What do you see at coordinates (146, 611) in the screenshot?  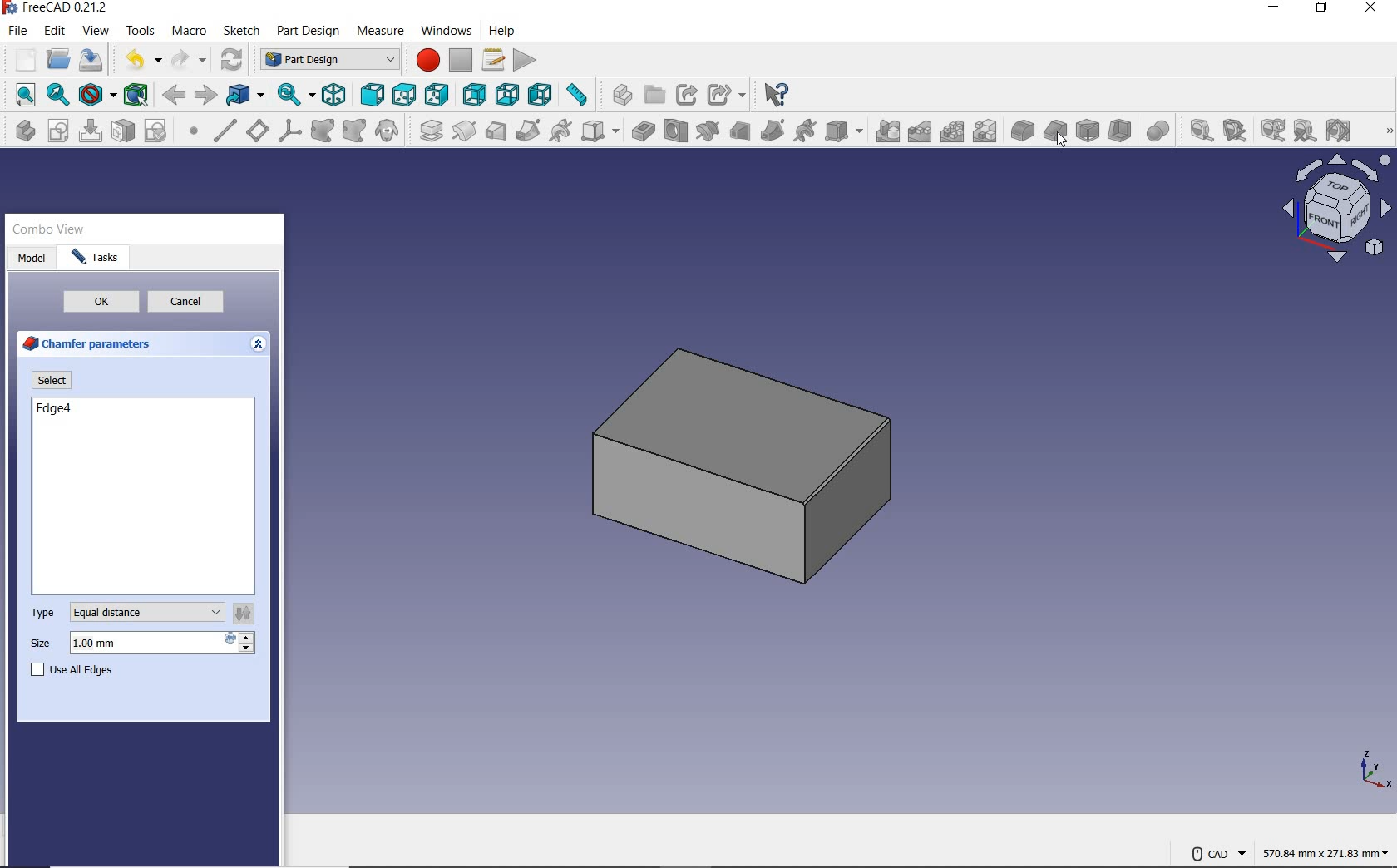 I see `Equal distance` at bounding box center [146, 611].